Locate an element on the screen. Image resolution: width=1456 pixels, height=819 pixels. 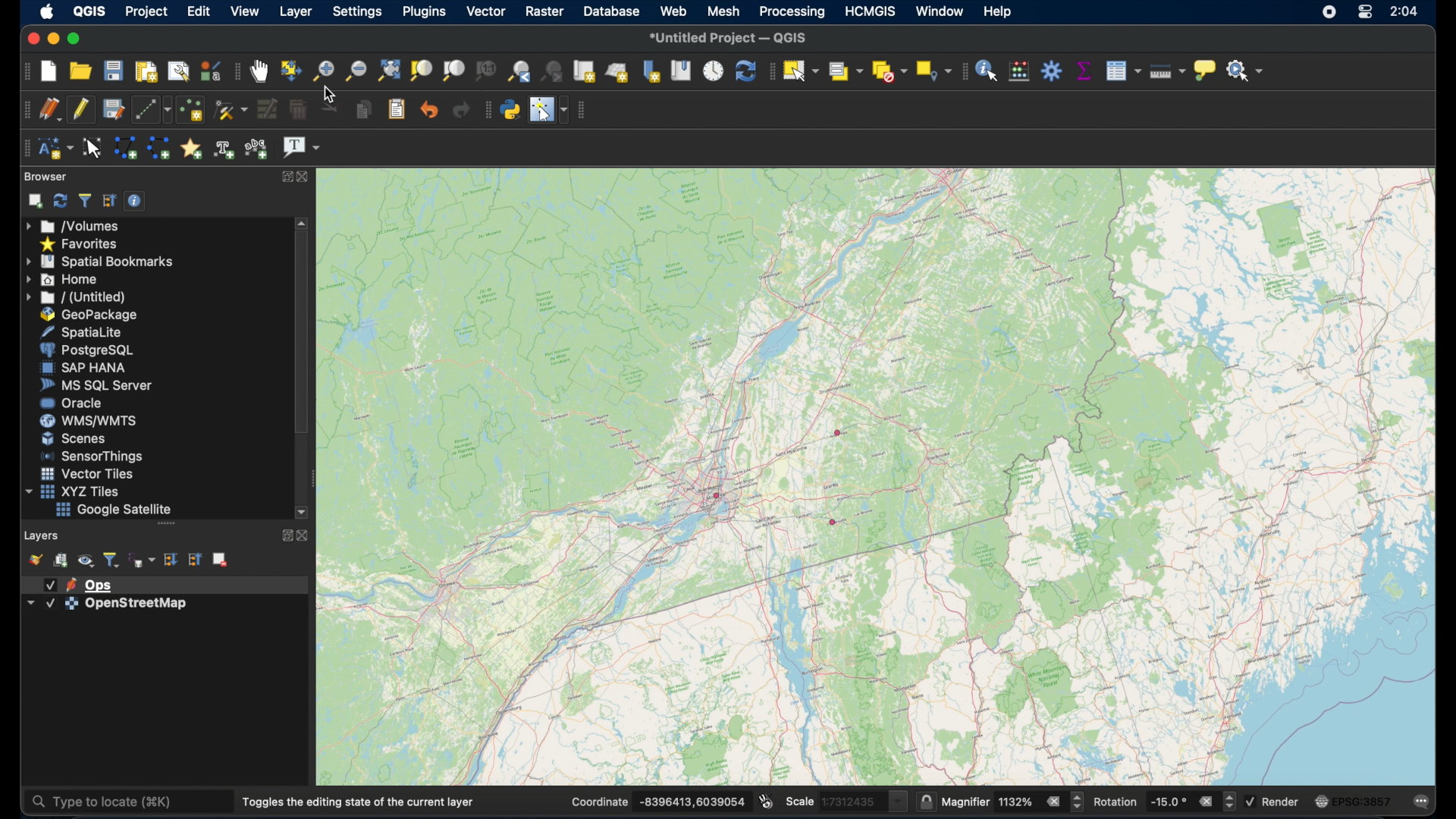
add group is located at coordinates (60, 560).